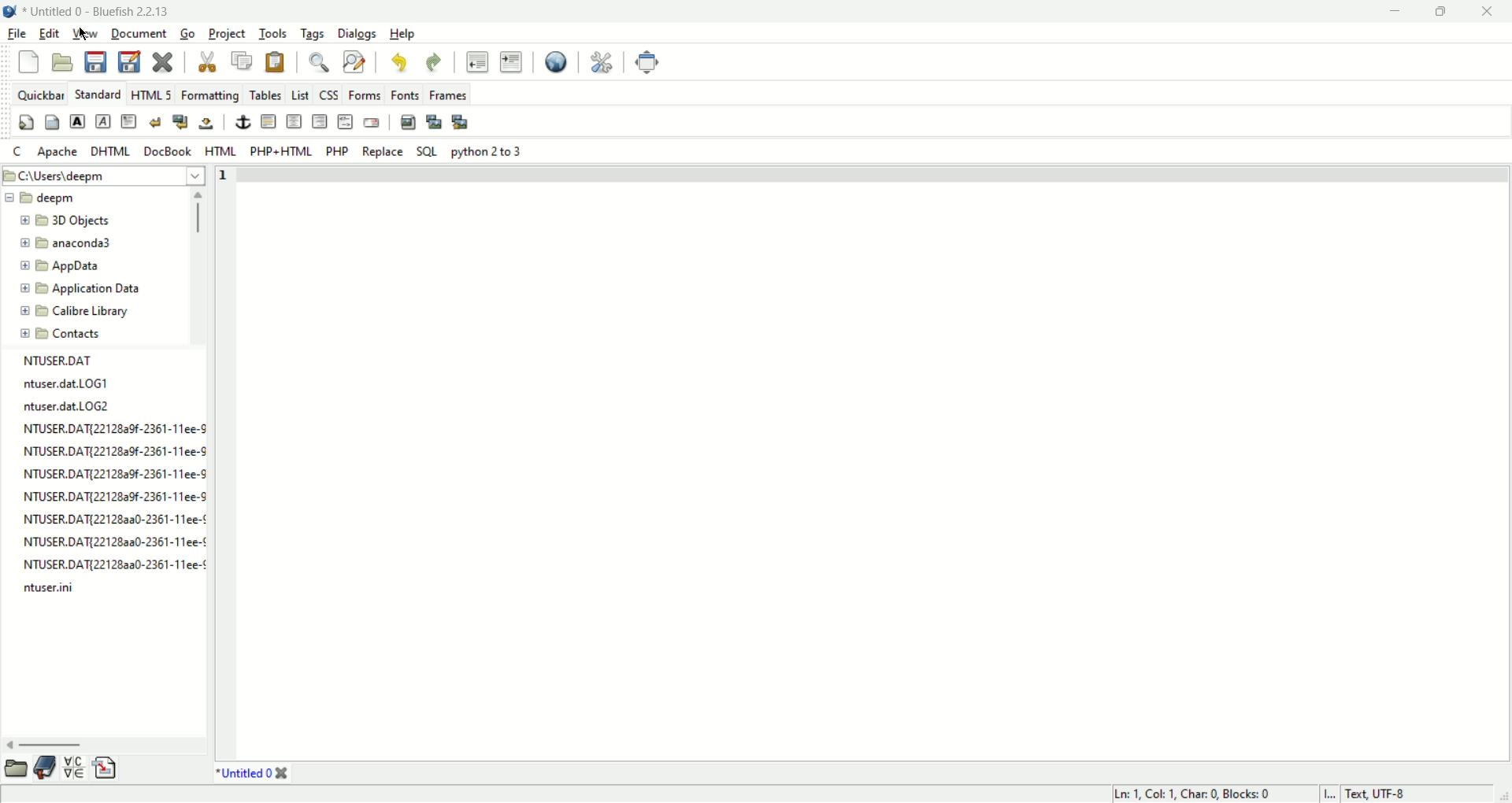 Image resolution: width=1512 pixels, height=803 pixels. What do you see at coordinates (372, 122) in the screenshot?
I see `email` at bounding box center [372, 122].